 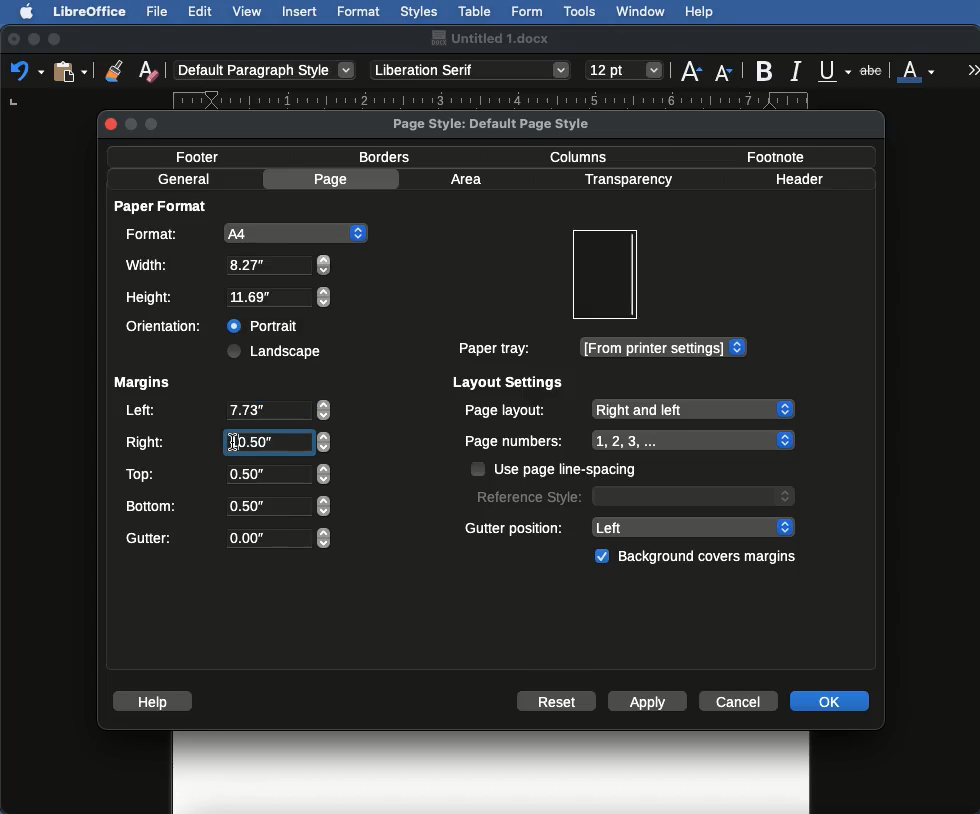 What do you see at coordinates (33, 39) in the screenshot?
I see `Minimize` at bounding box center [33, 39].